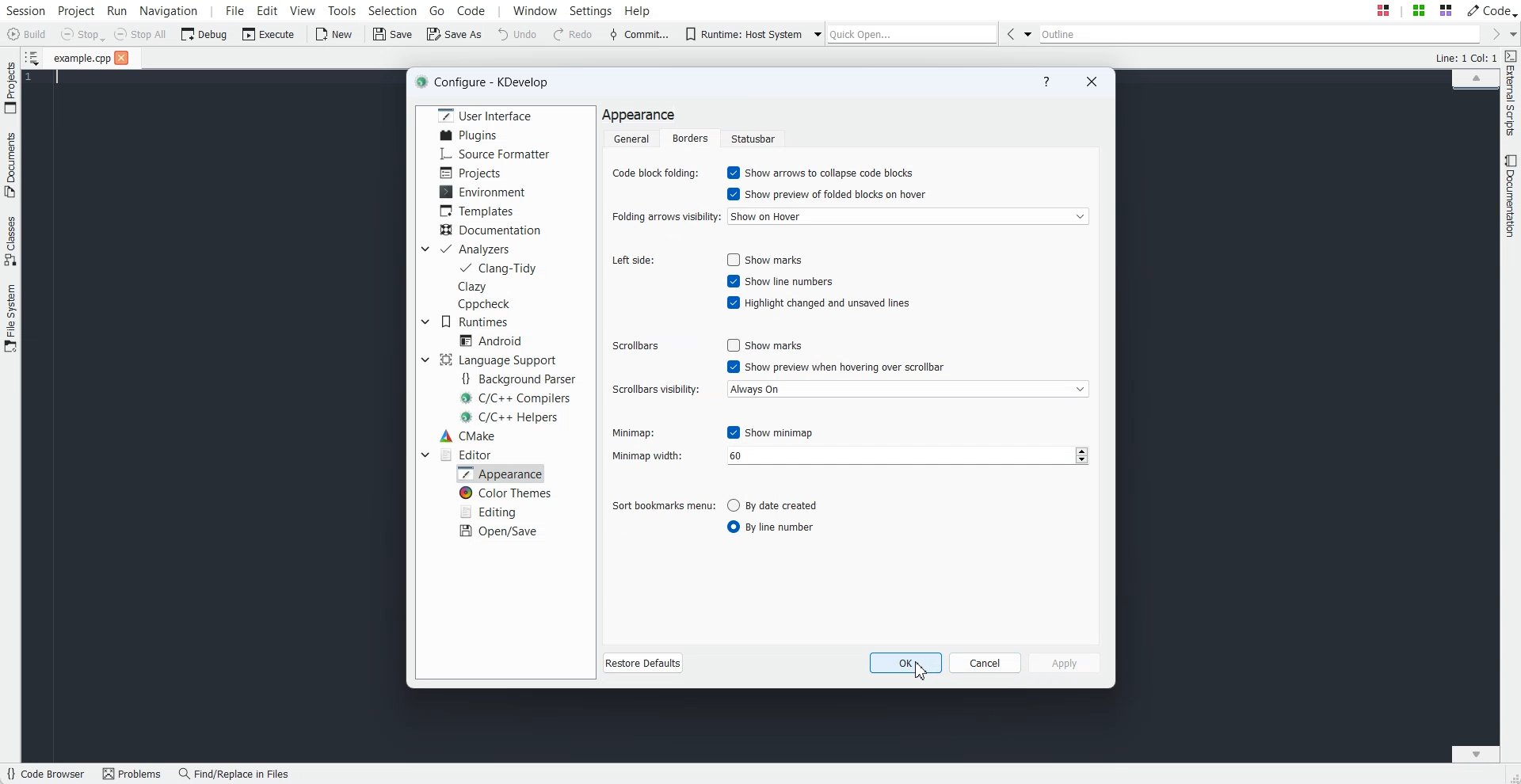 Image resolution: width=1521 pixels, height=784 pixels. What do you see at coordinates (10, 87) in the screenshot?
I see `Projects` at bounding box center [10, 87].